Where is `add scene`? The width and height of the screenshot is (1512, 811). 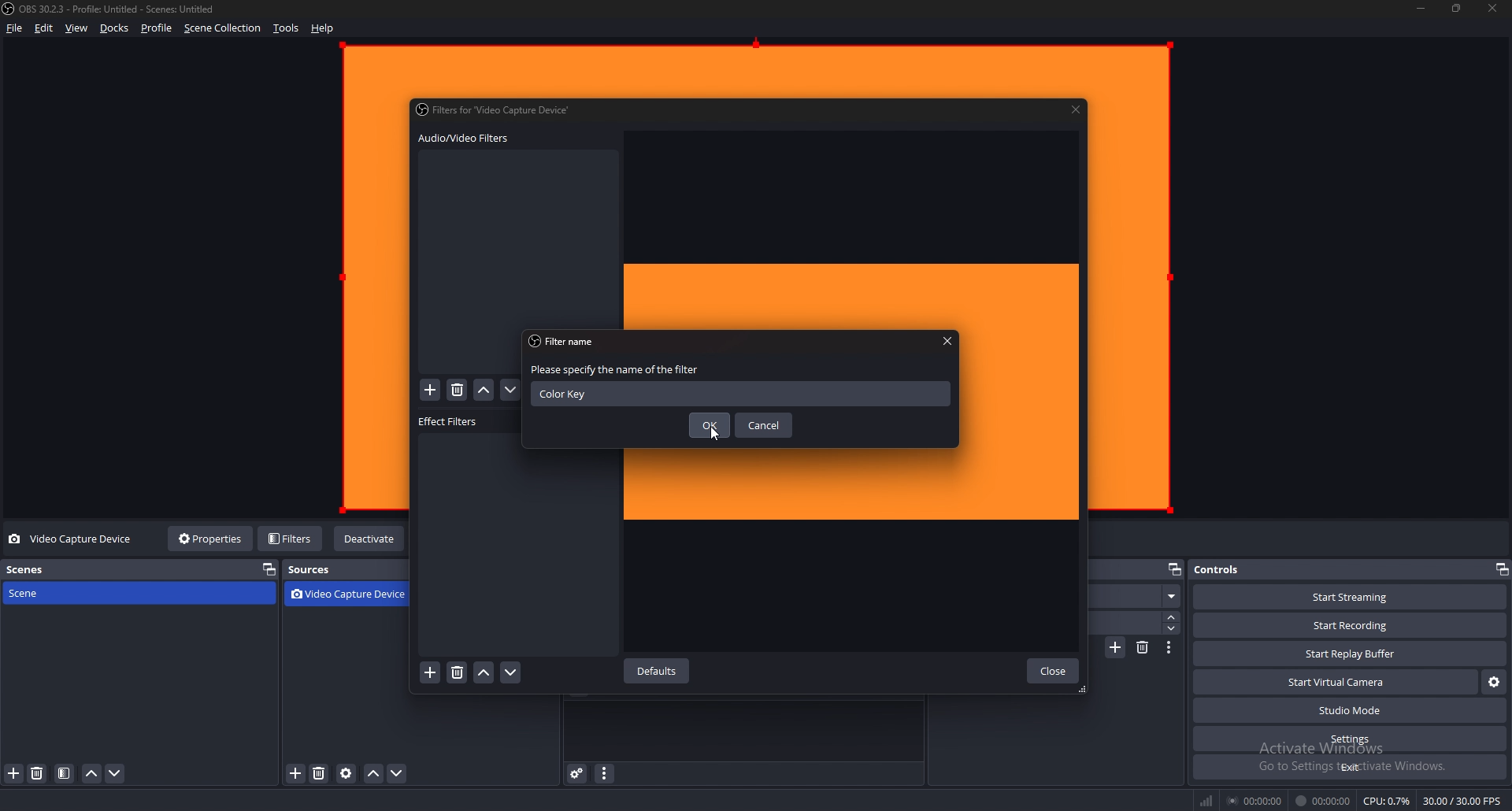
add scene is located at coordinates (14, 774).